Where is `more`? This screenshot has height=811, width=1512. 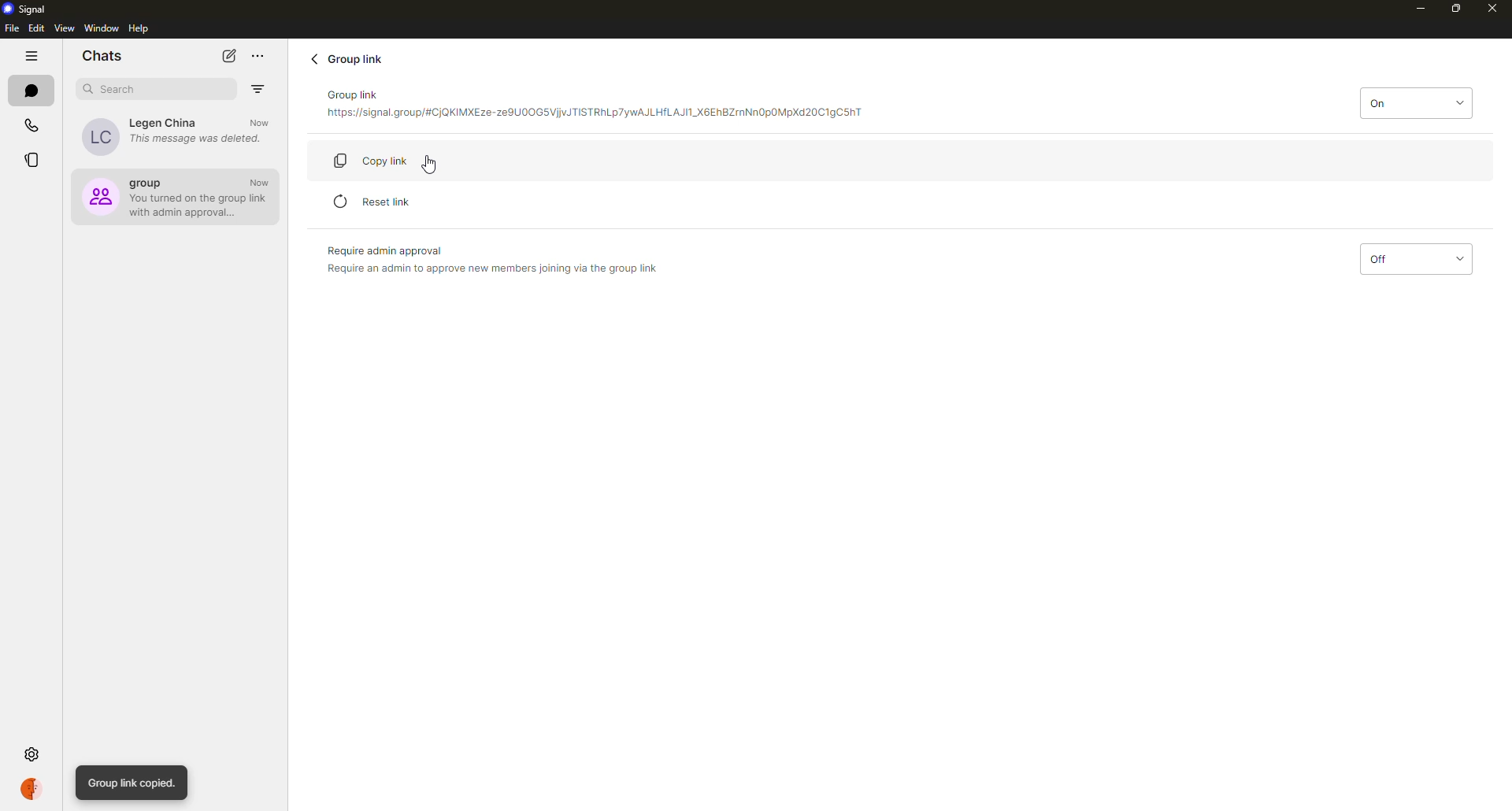 more is located at coordinates (258, 56).